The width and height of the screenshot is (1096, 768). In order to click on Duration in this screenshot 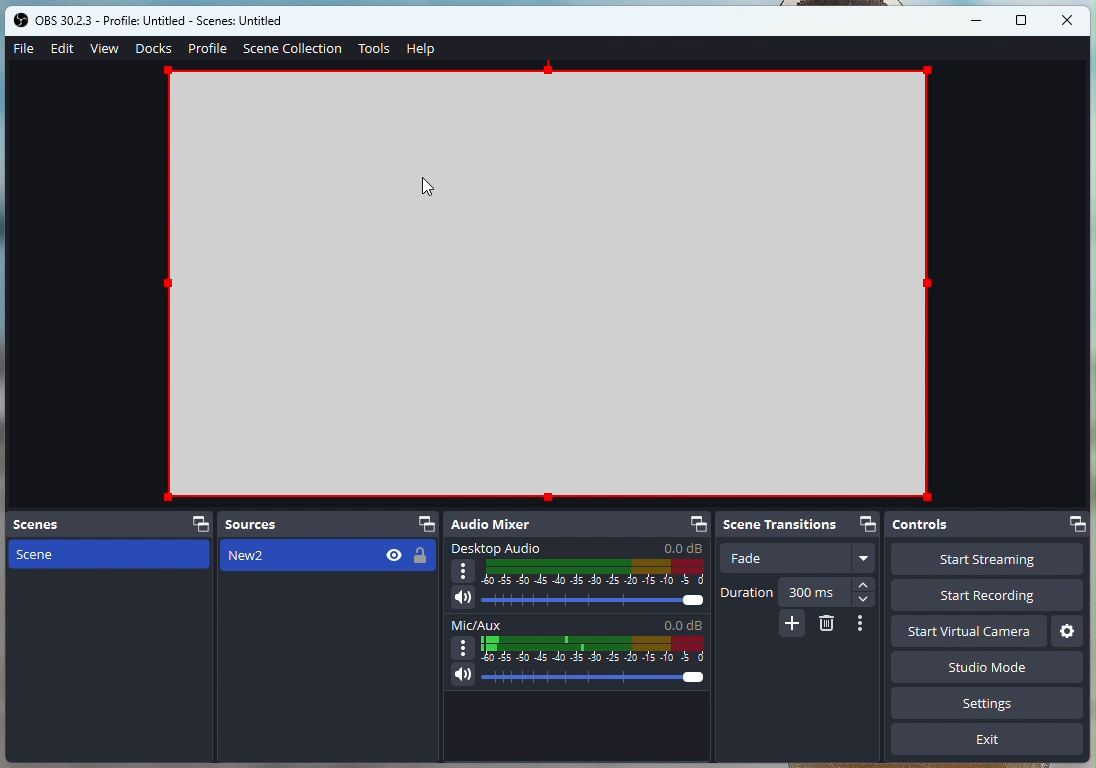, I will do `click(798, 592)`.